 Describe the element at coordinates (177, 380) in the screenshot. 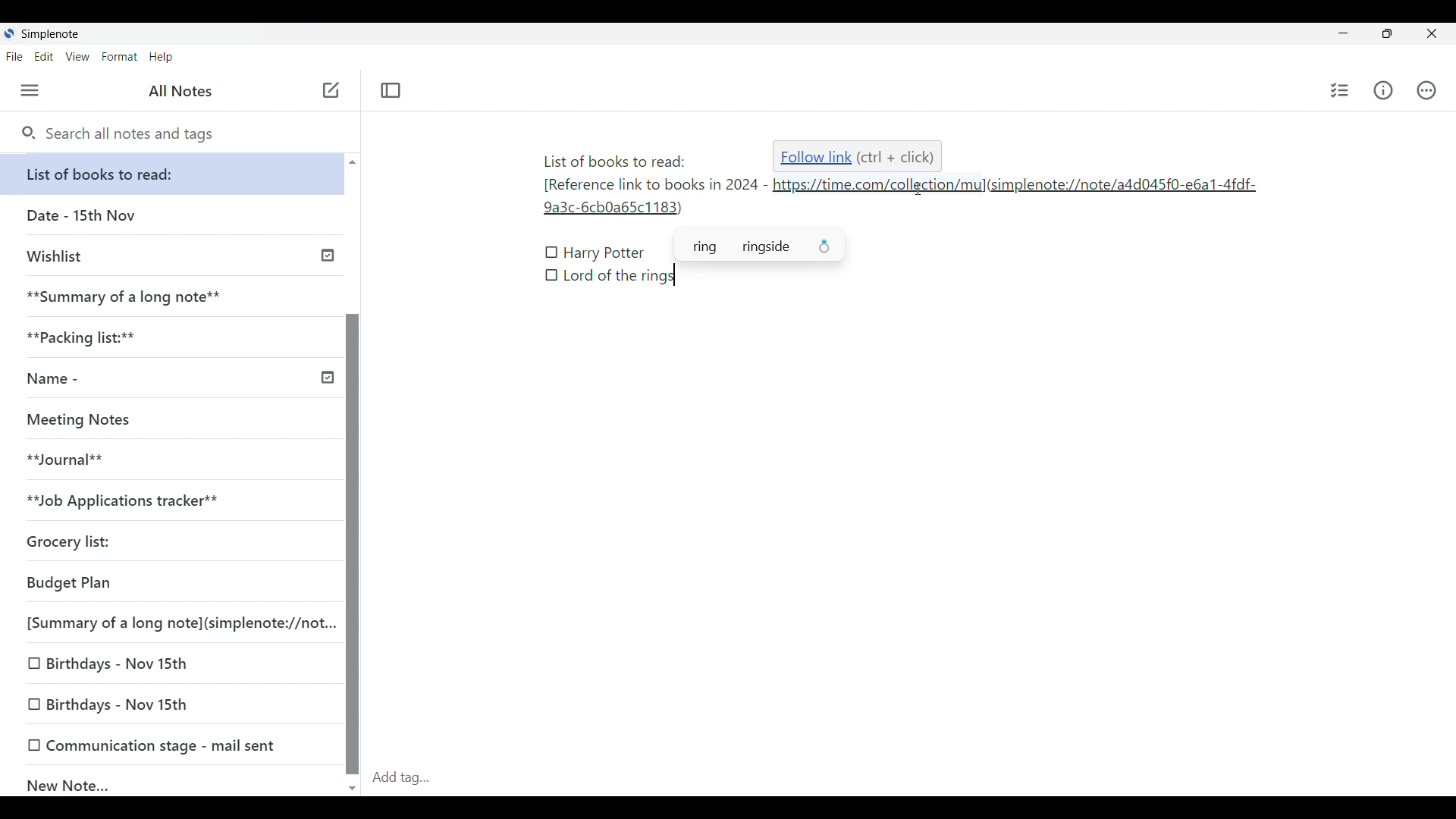

I see `Name -` at that location.